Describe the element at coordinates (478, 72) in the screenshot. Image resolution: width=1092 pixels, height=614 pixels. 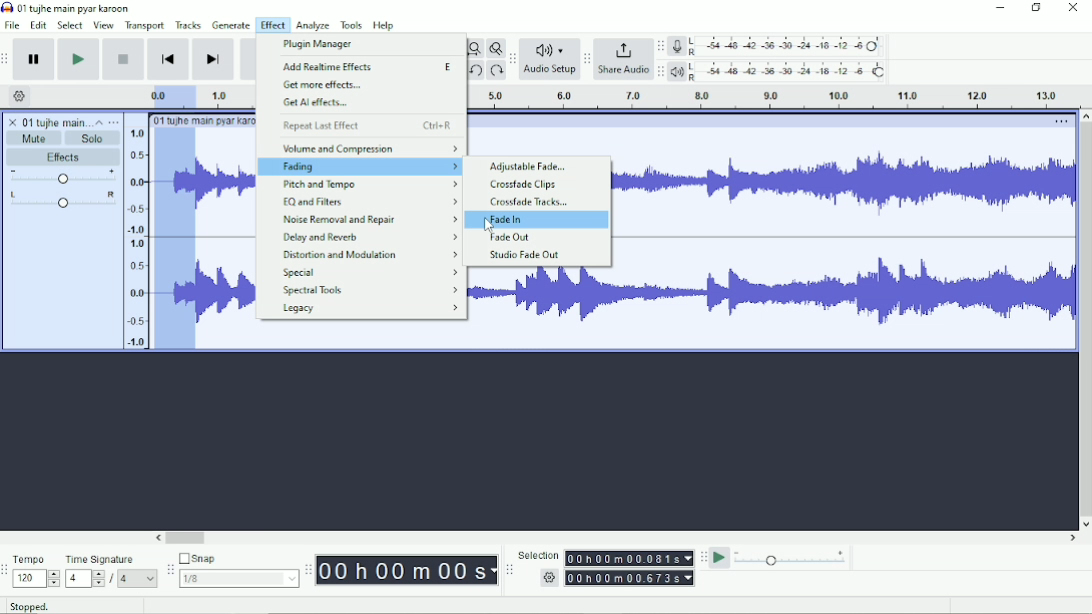
I see `Undo` at that location.